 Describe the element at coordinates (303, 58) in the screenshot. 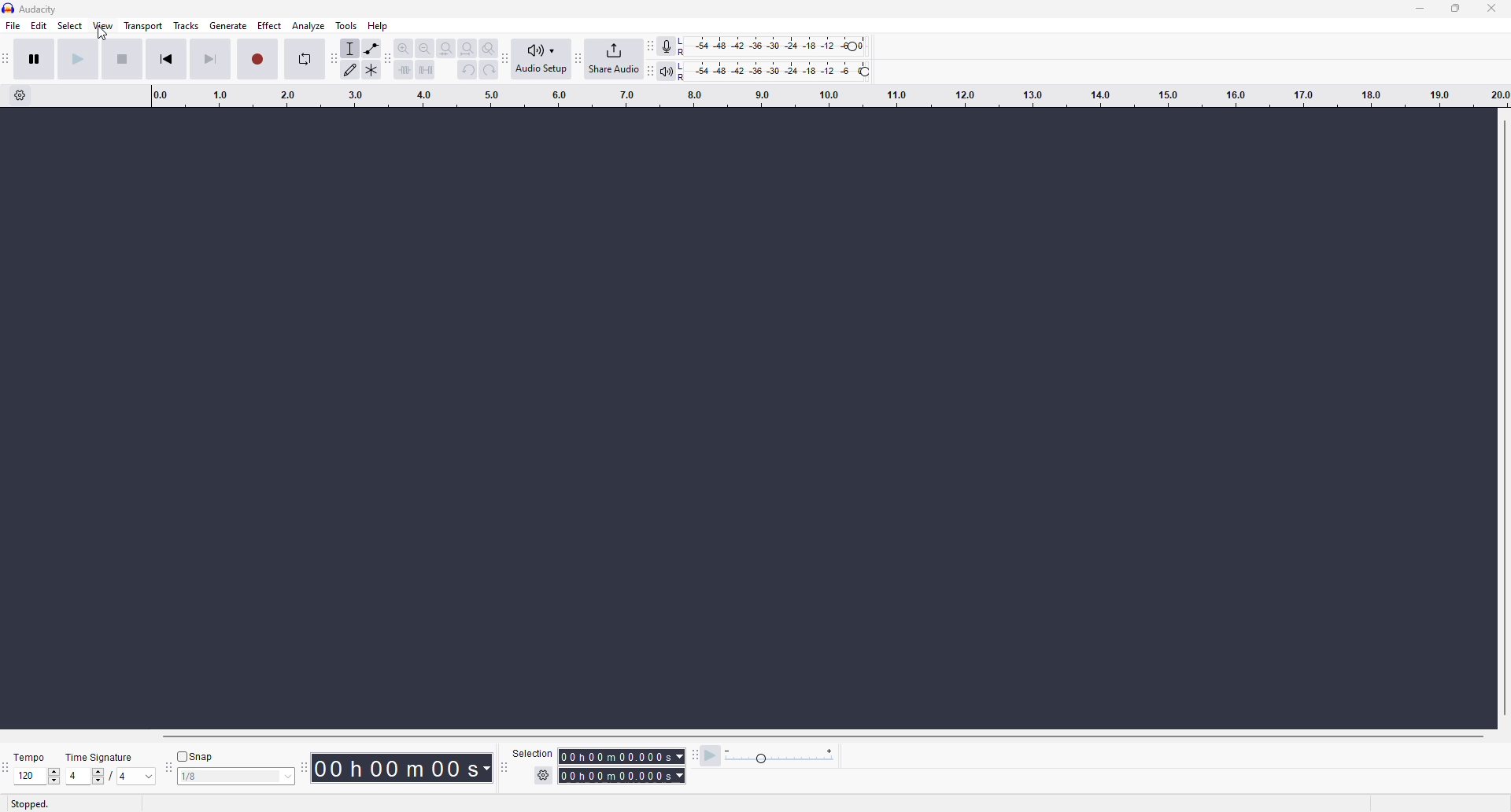

I see `enable looping` at that location.